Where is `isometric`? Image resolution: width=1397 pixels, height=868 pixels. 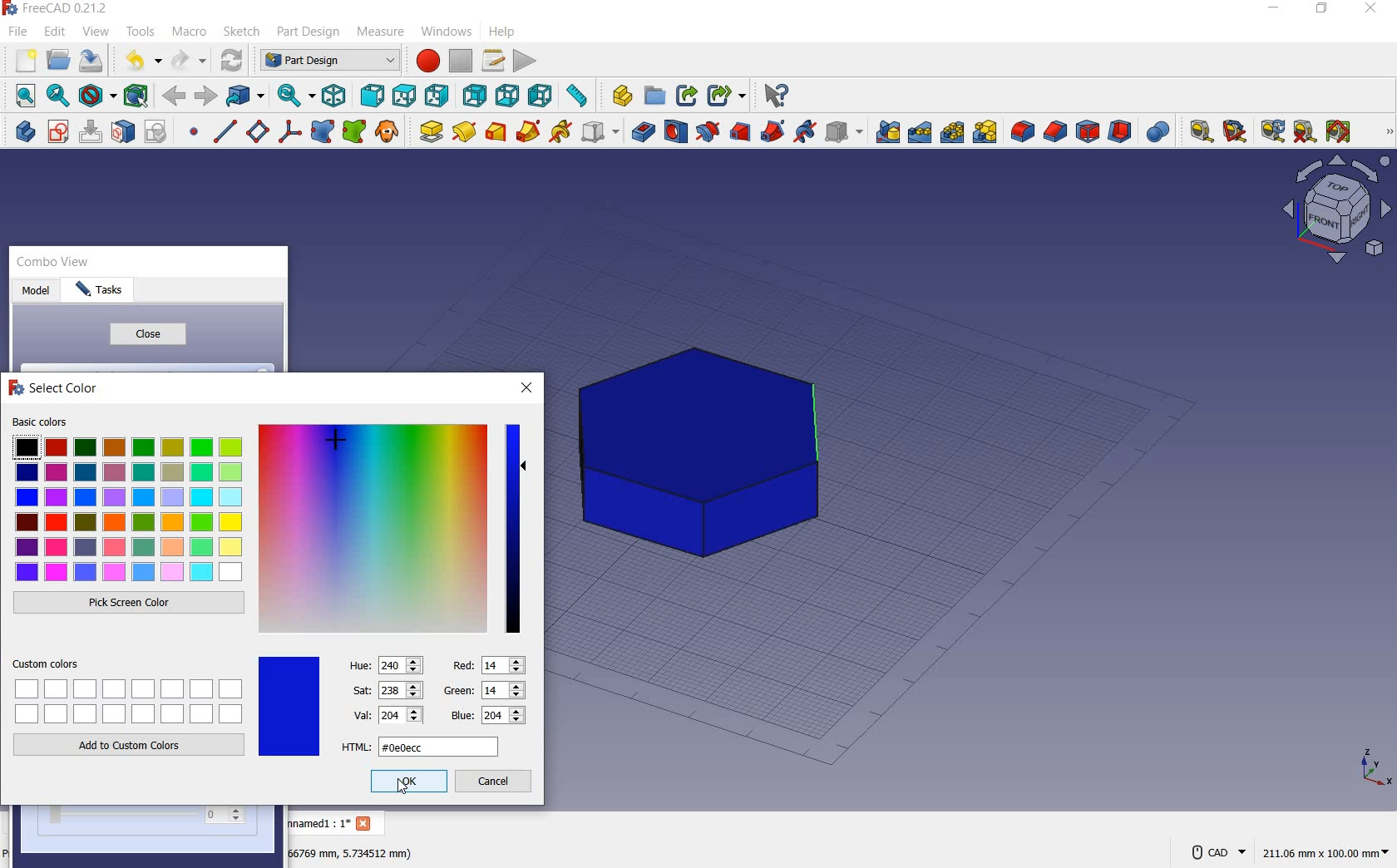 isometric is located at coordinates (337, 97).